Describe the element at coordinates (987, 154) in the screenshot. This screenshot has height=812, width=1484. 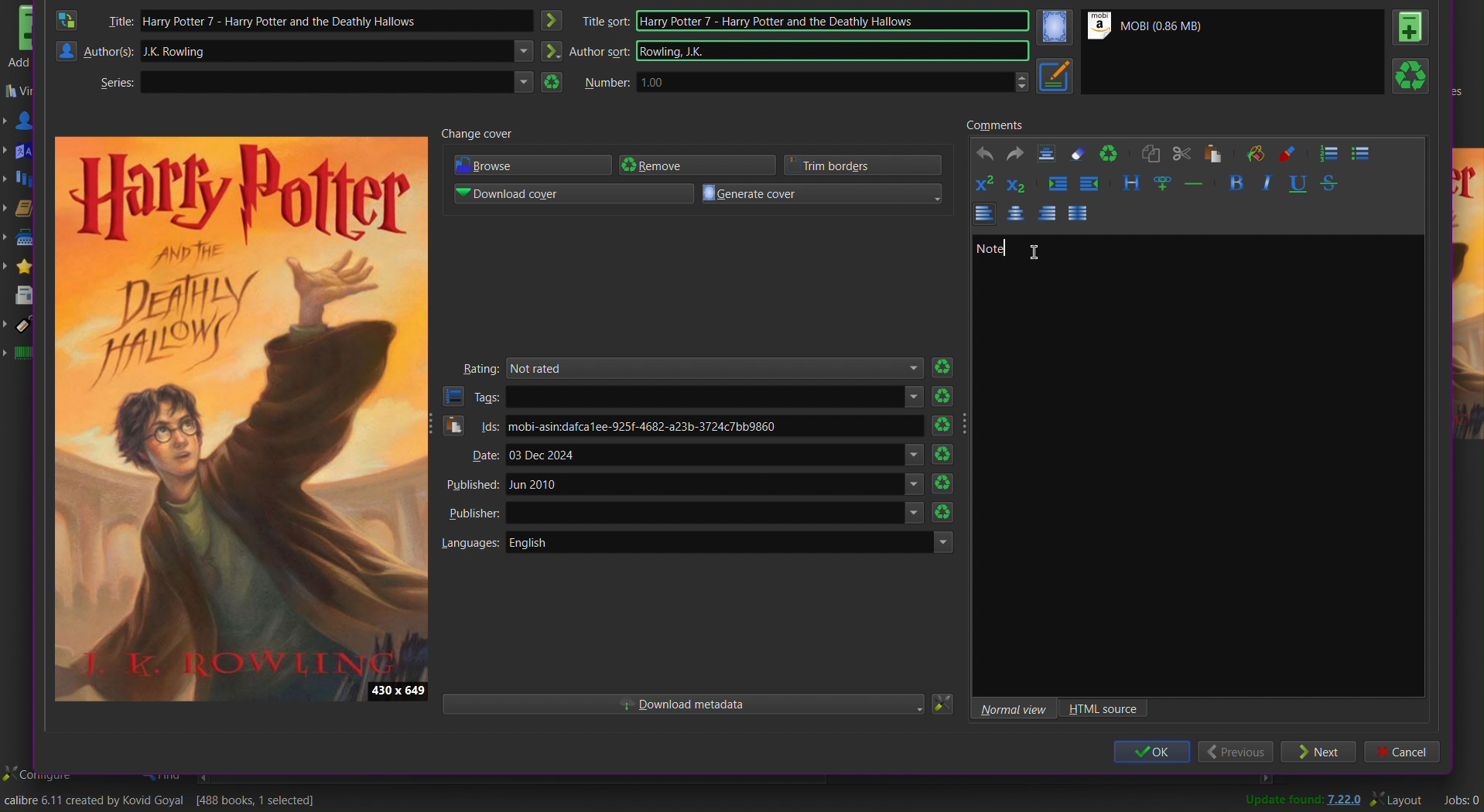
I see `Undo` at that location.